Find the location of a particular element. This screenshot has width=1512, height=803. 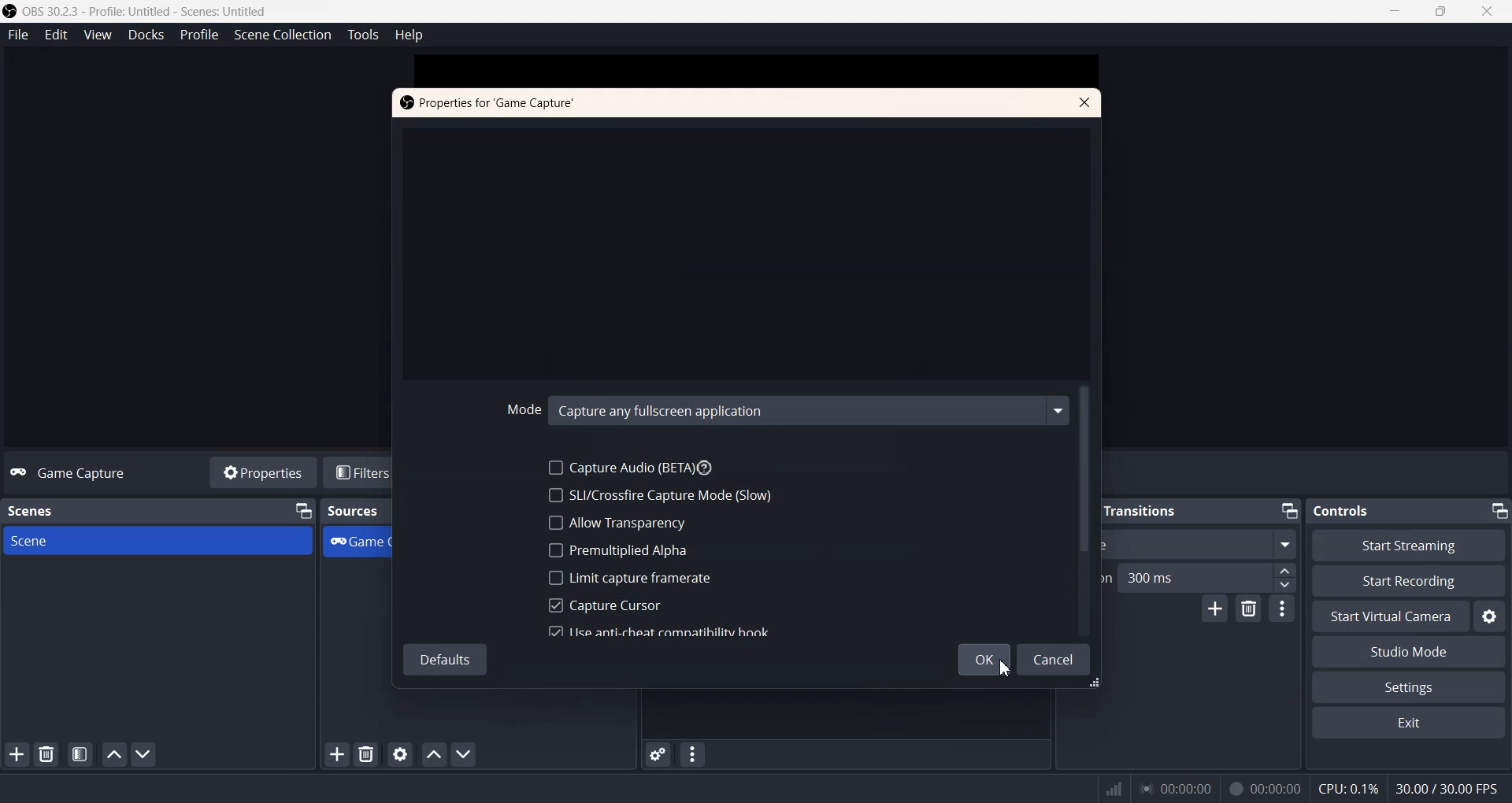

Text is located at coordinates (1299, 788).